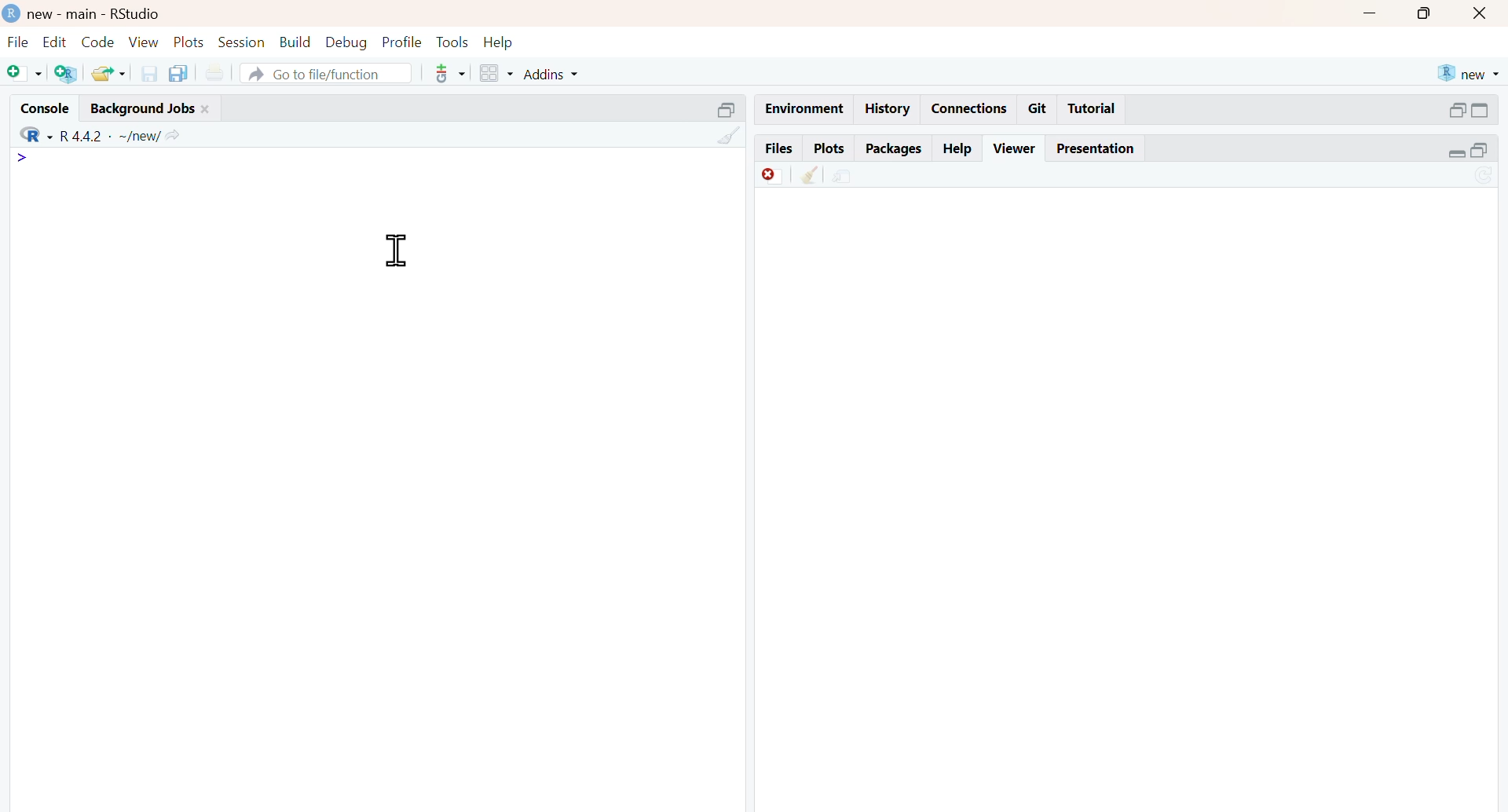 This screenshot has width=1508, height=812. I want to click on new, so click(1470, 74).